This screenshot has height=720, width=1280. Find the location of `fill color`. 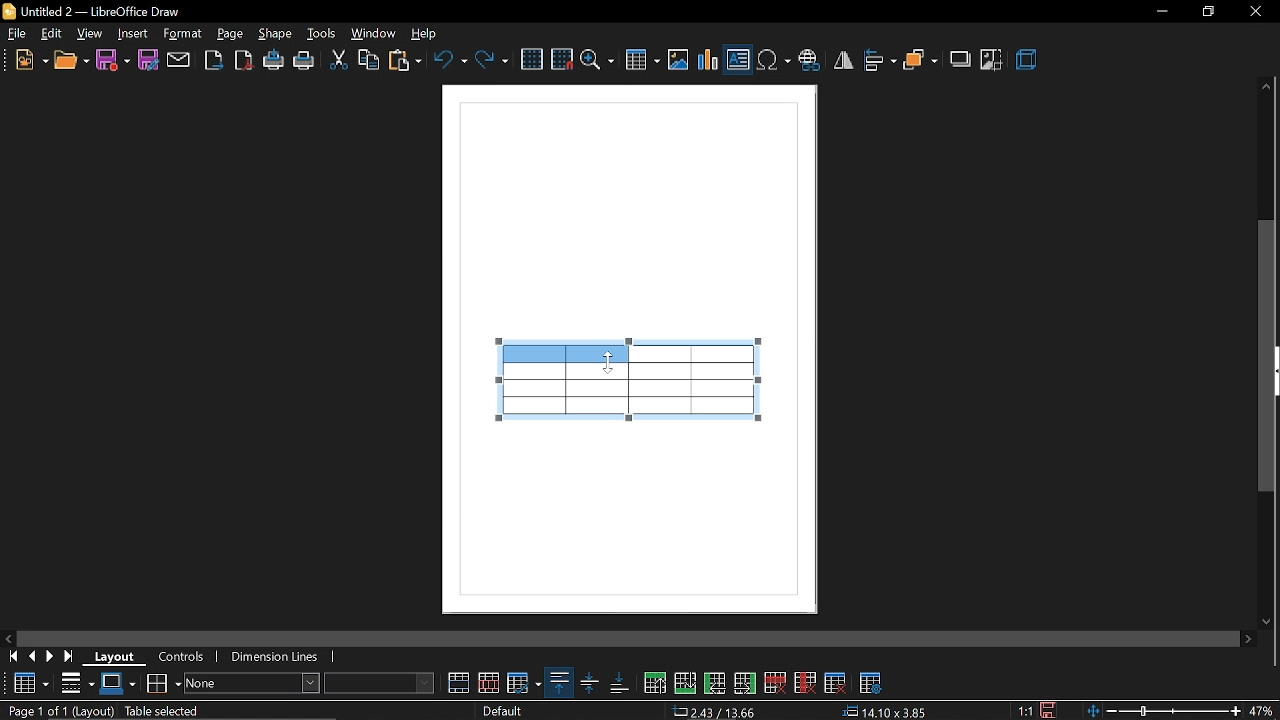

fill color is located at coordinates (383, 682).